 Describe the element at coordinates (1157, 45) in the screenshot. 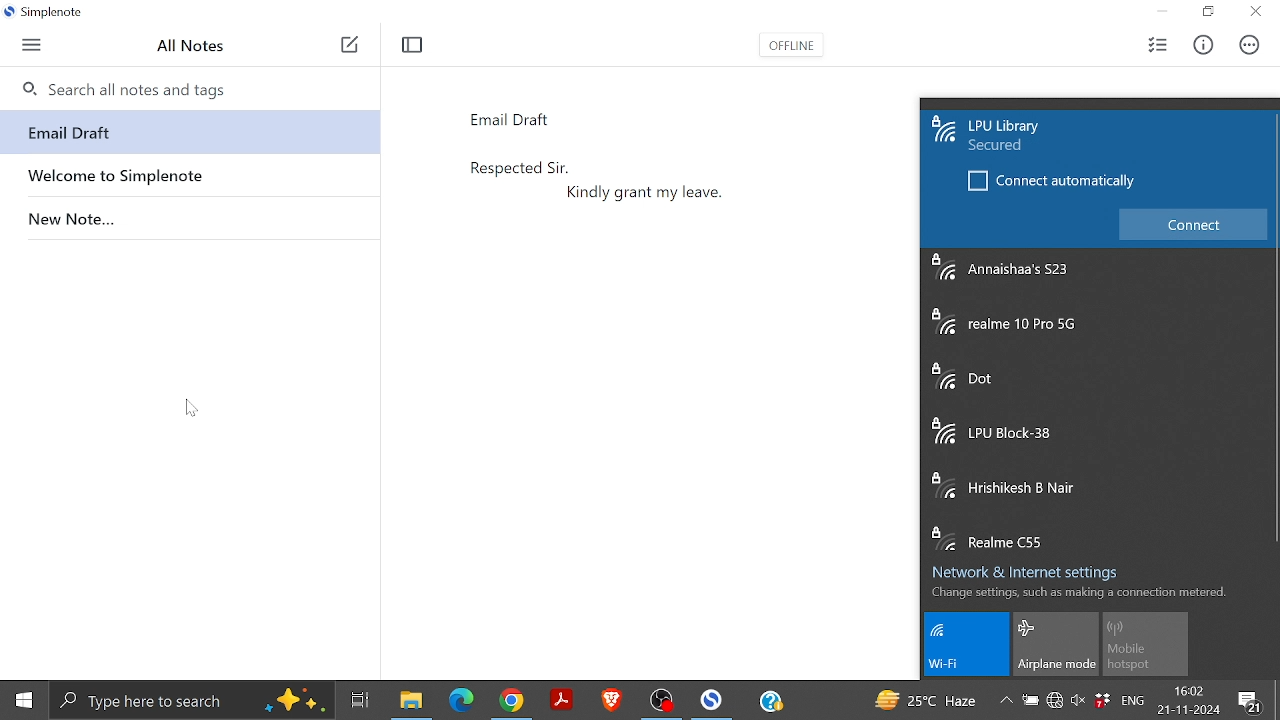

I see `Checklist` at that location.